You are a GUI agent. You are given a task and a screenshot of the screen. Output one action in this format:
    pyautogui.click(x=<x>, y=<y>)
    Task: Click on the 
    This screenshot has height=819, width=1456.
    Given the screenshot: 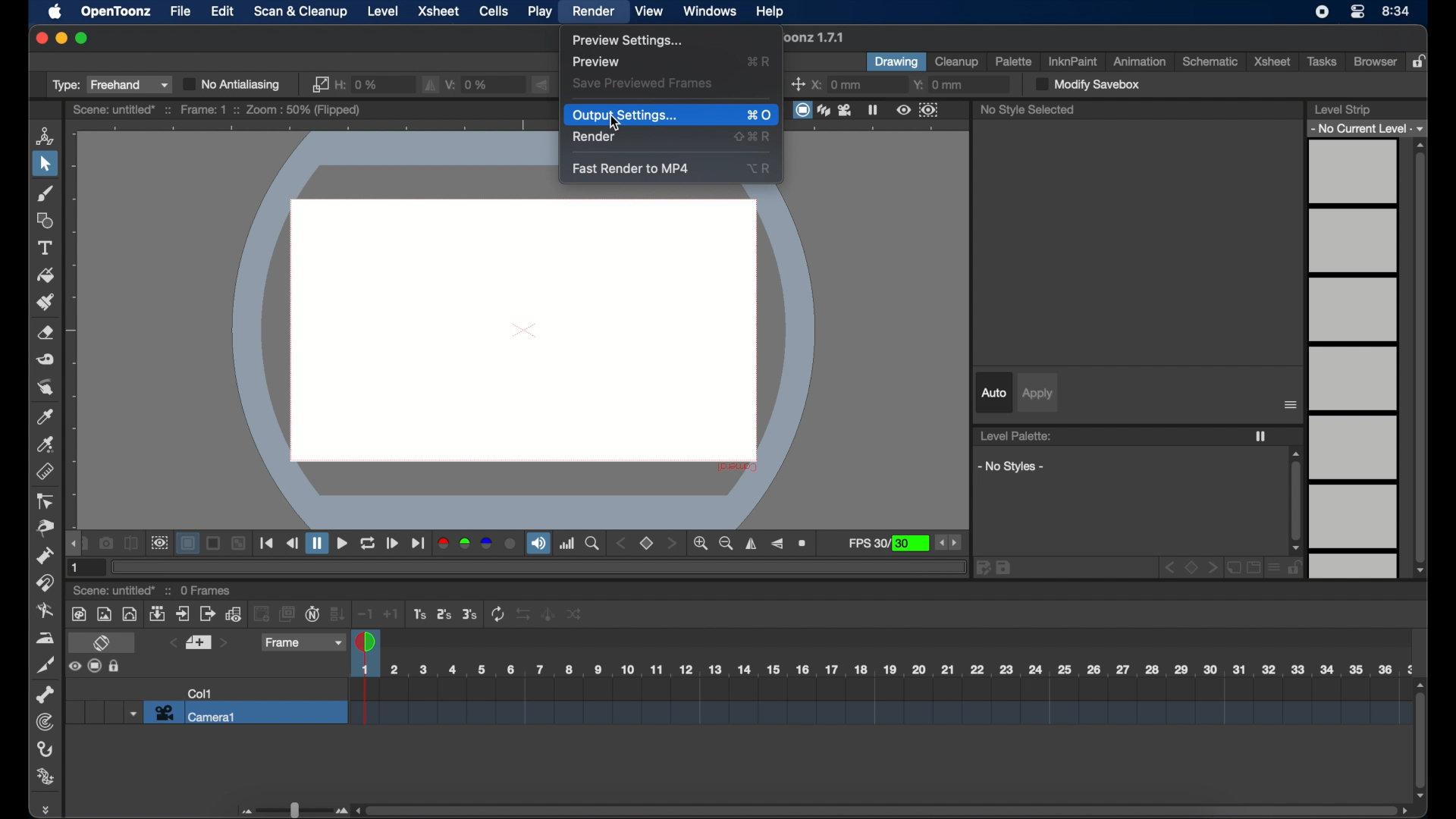 What is the action you would take?
    pyautogui.click(x=1257, y=567)
    